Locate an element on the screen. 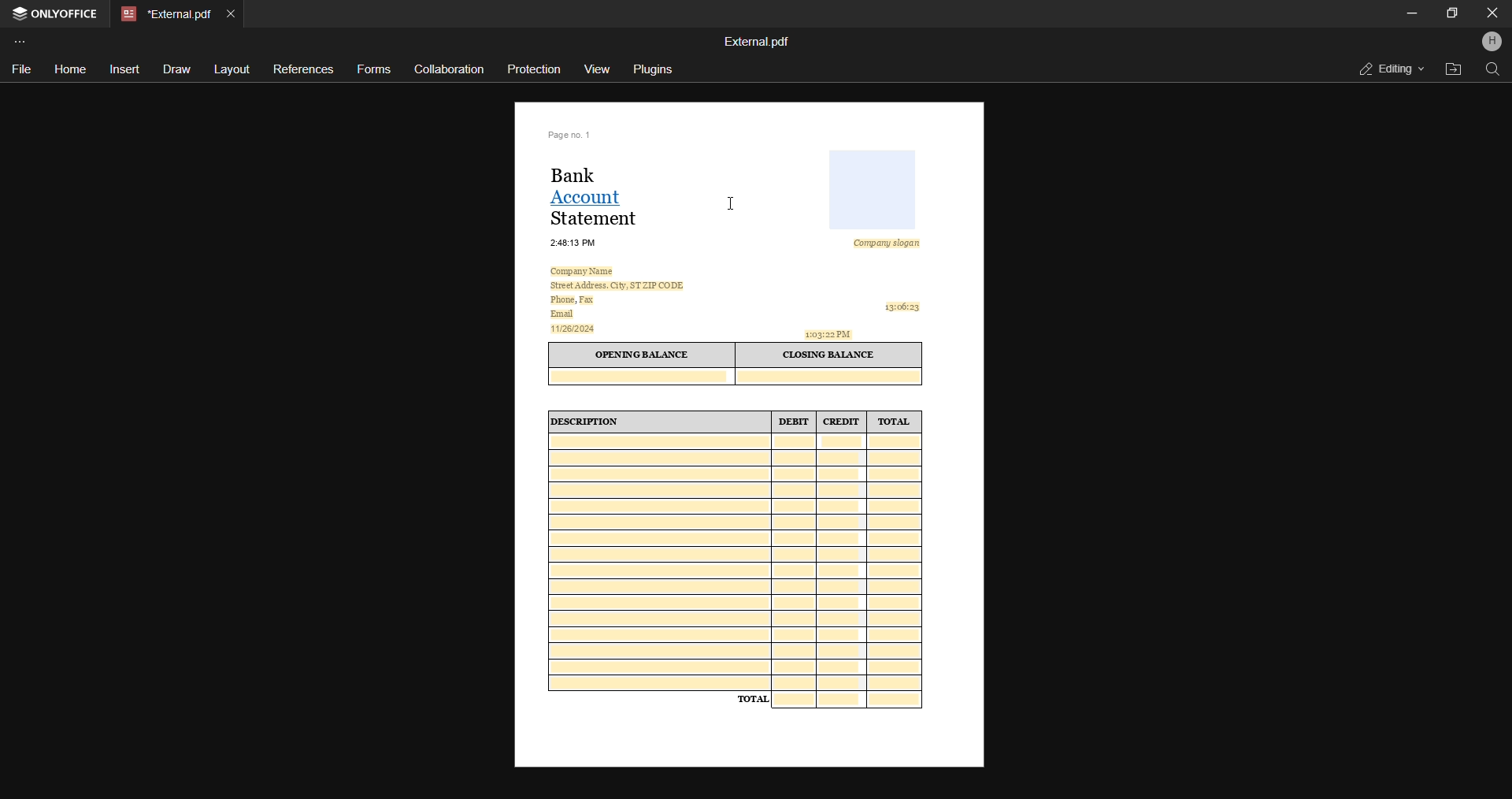 The image size is (1512, 799). file is located at coordinates (21, 68).